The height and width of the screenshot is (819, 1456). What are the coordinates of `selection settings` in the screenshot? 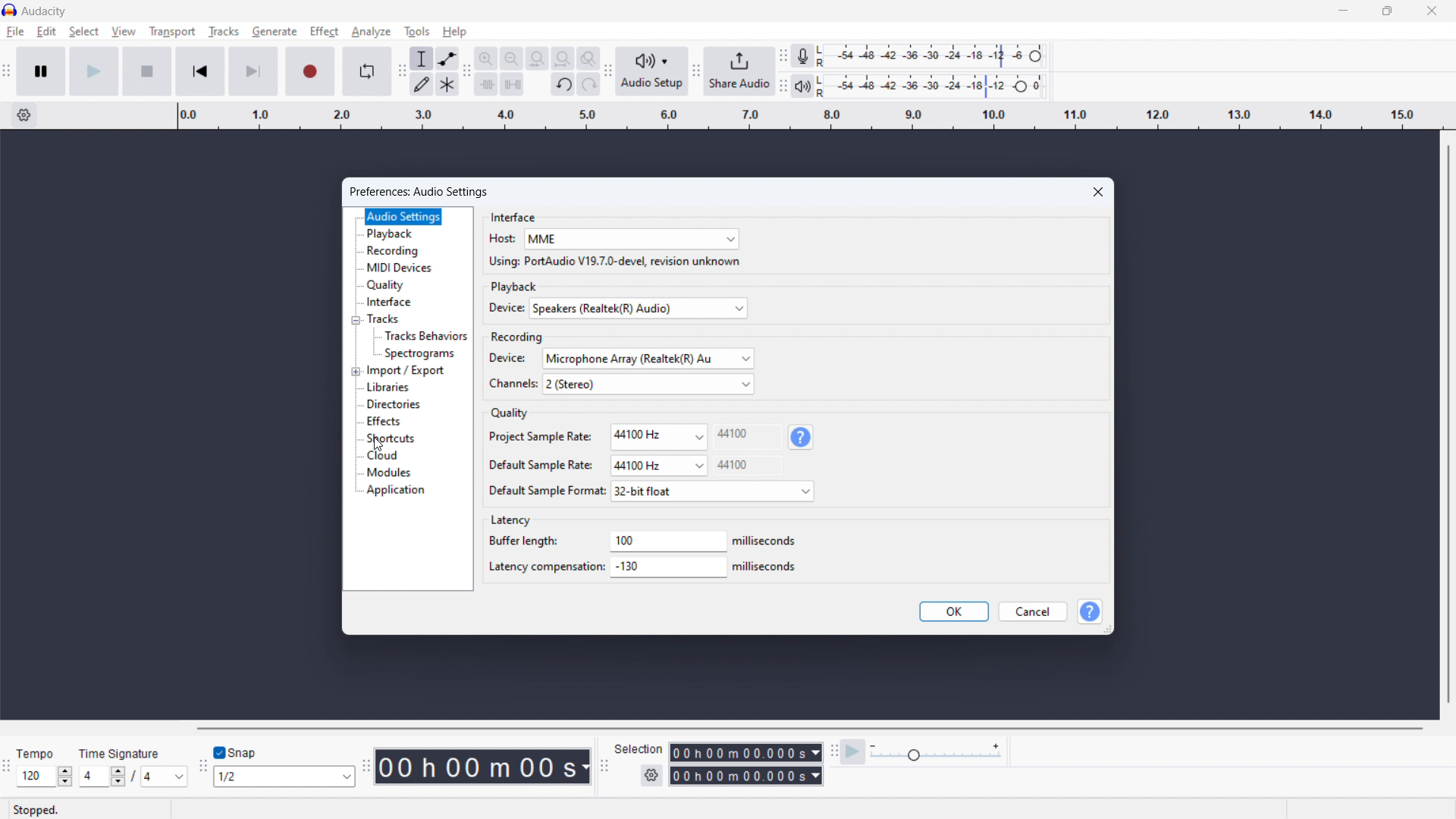 It's located at (652, 775).